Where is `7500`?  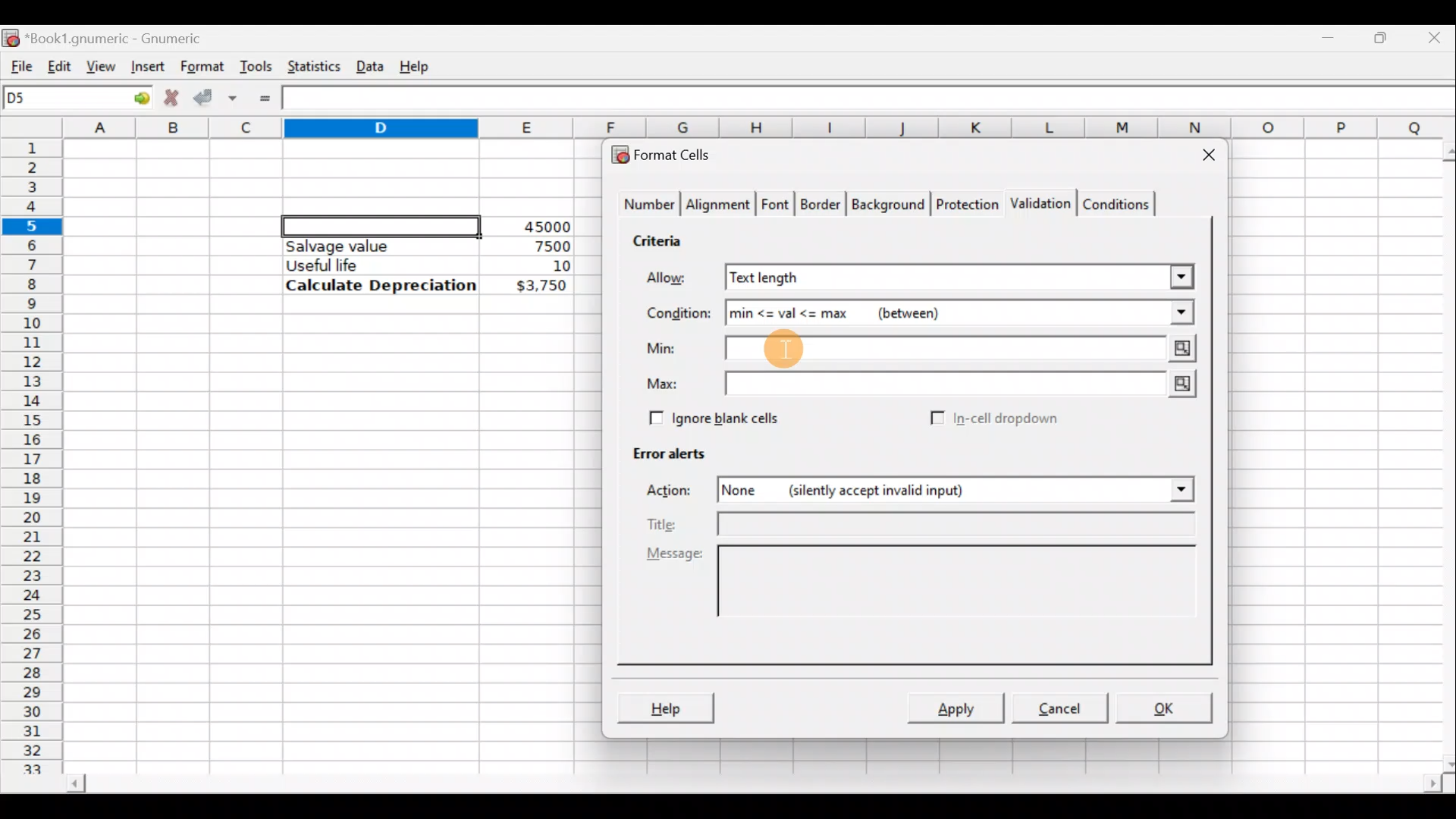 7500 is located at coordinates (528, 245).